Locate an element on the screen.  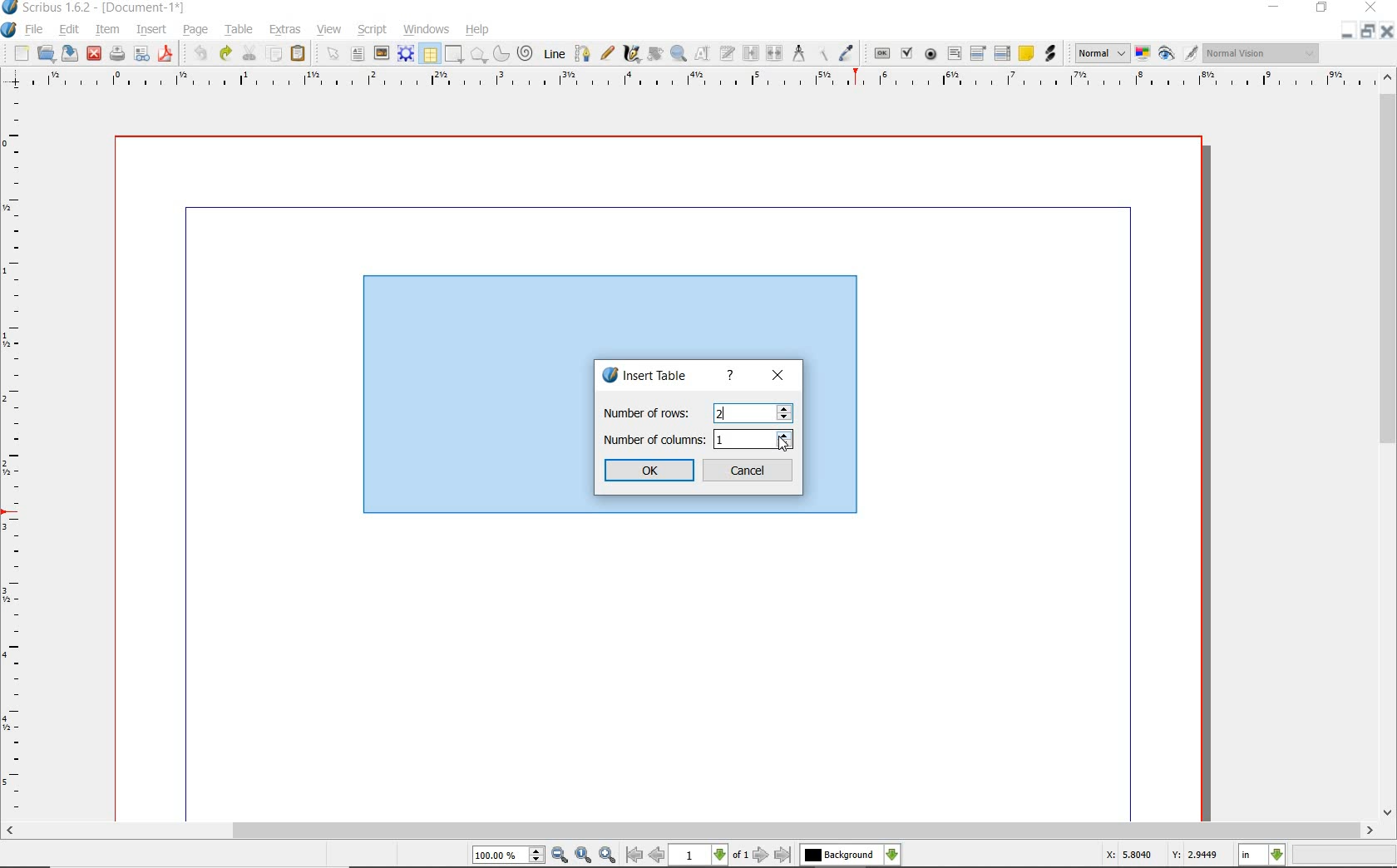
calligraphic line is located at coordinates (632, 54).